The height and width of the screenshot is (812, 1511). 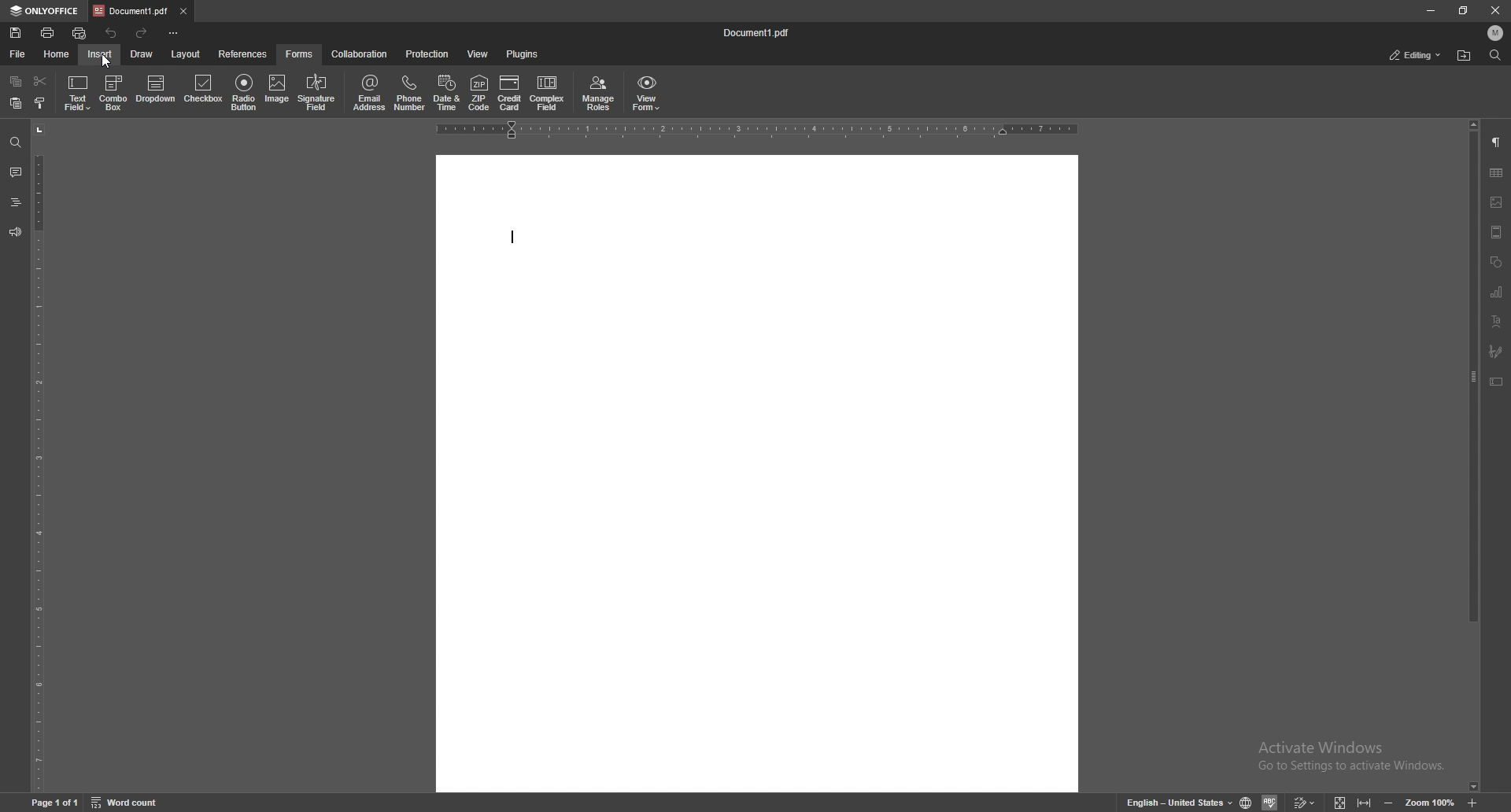 I want to click on resize, so click(x=1463, y=9).